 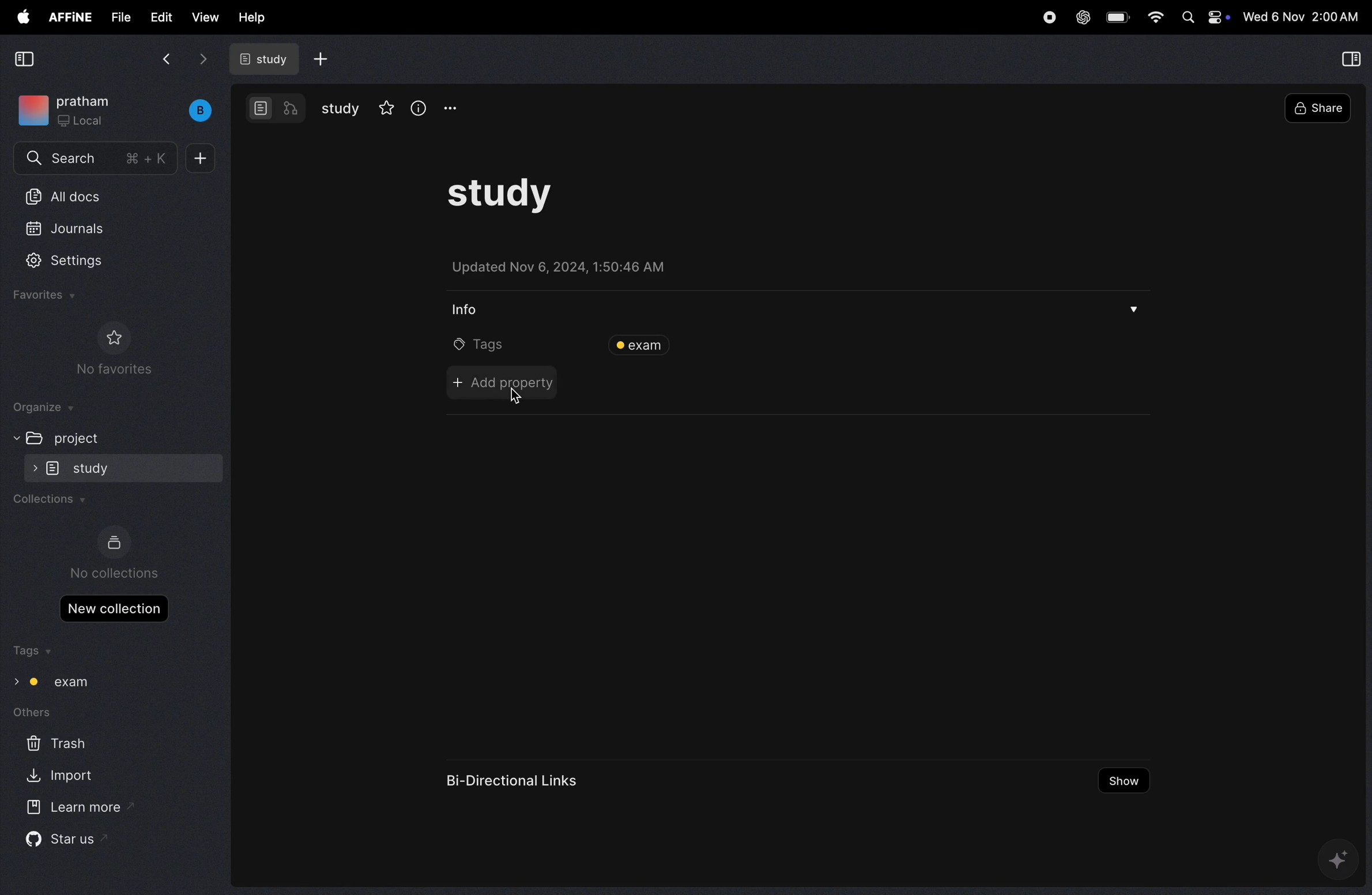 I want to click on All docs, so click(x=78, y=197).